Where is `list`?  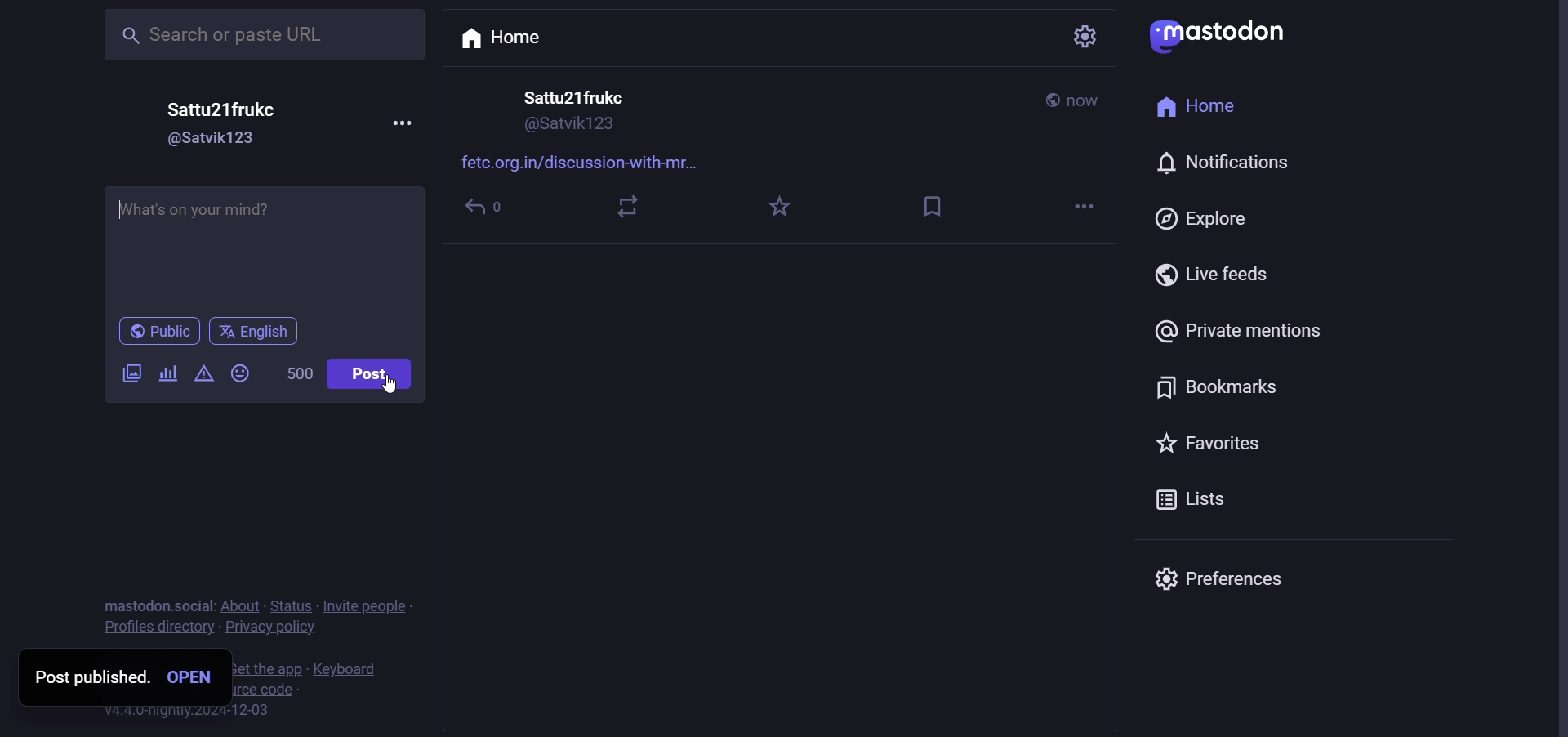 list is located at coordinates (1190, 498).